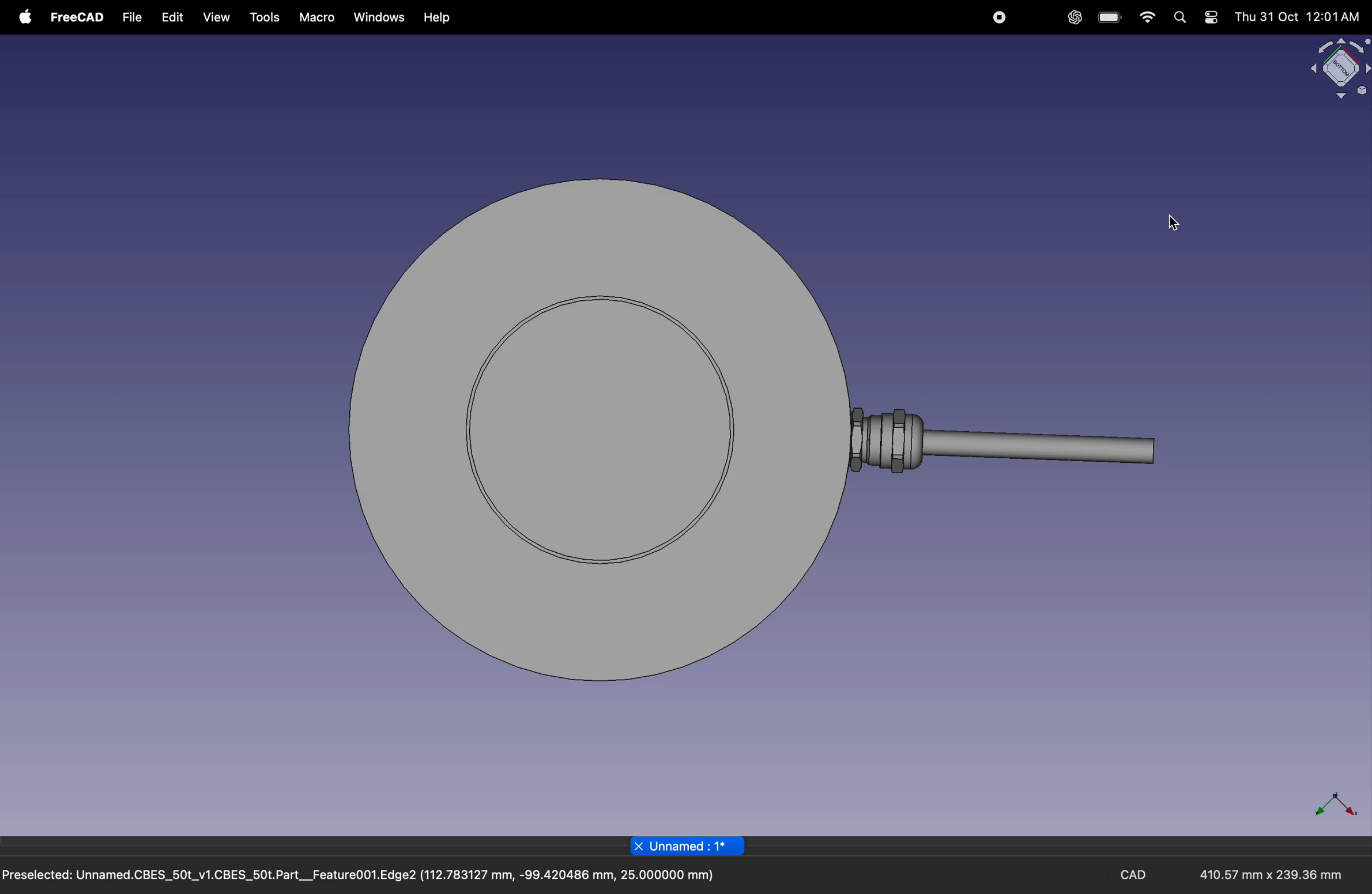 The image size is (1372, 894). I want to click on search, so click(1181, 19).